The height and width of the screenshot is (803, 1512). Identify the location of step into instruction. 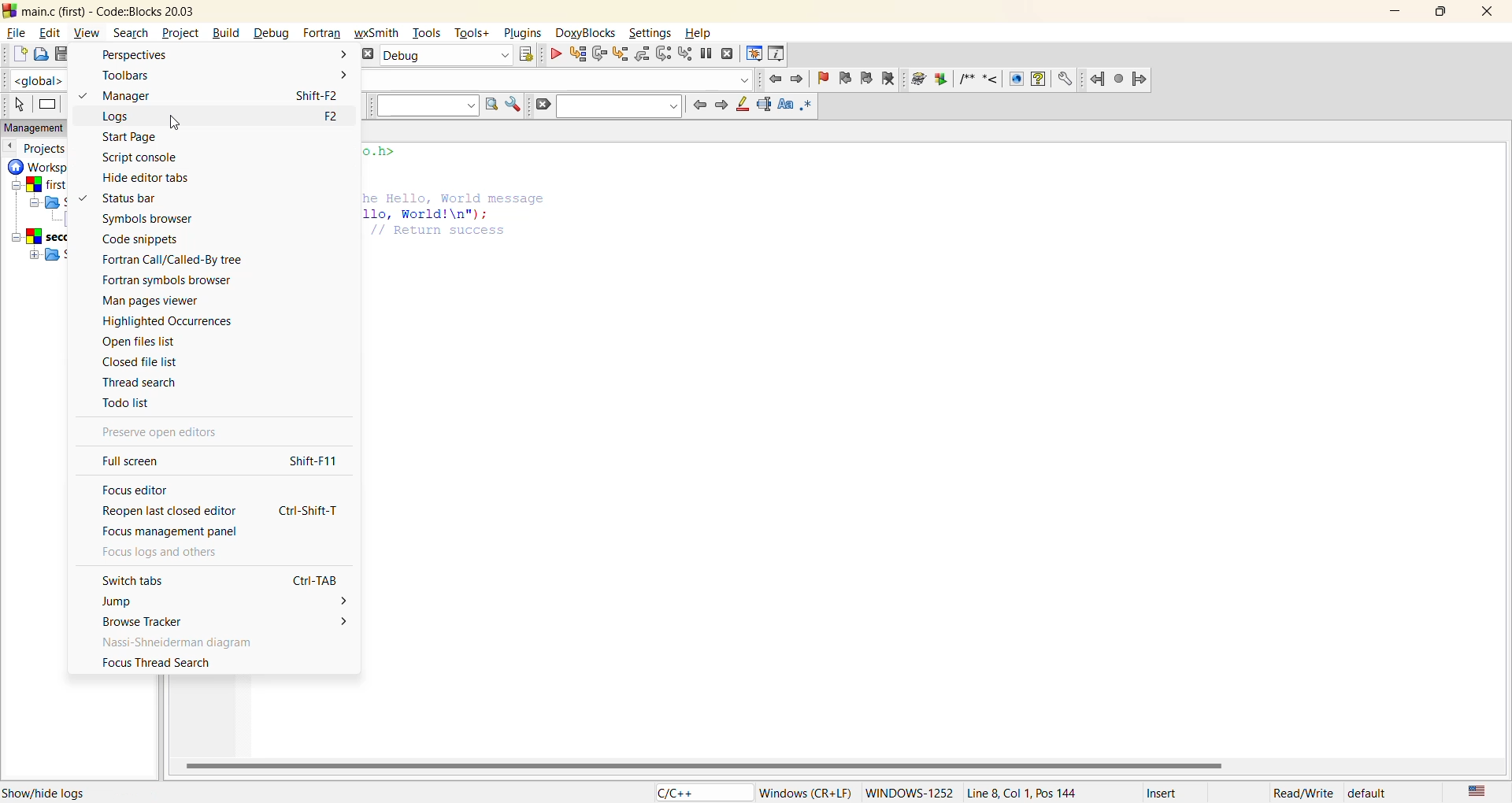
(687, 54).